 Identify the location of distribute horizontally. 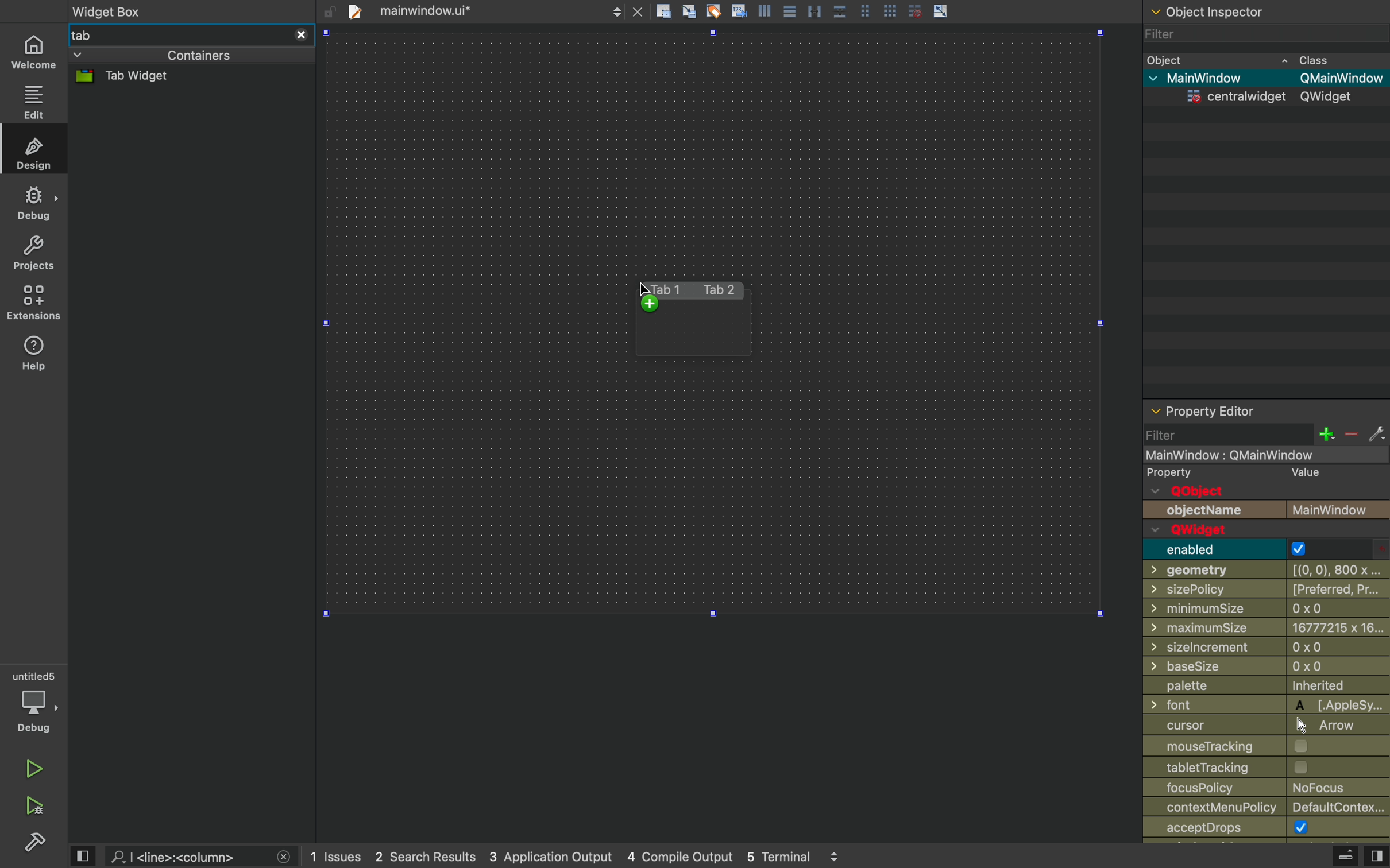
(814, 10).